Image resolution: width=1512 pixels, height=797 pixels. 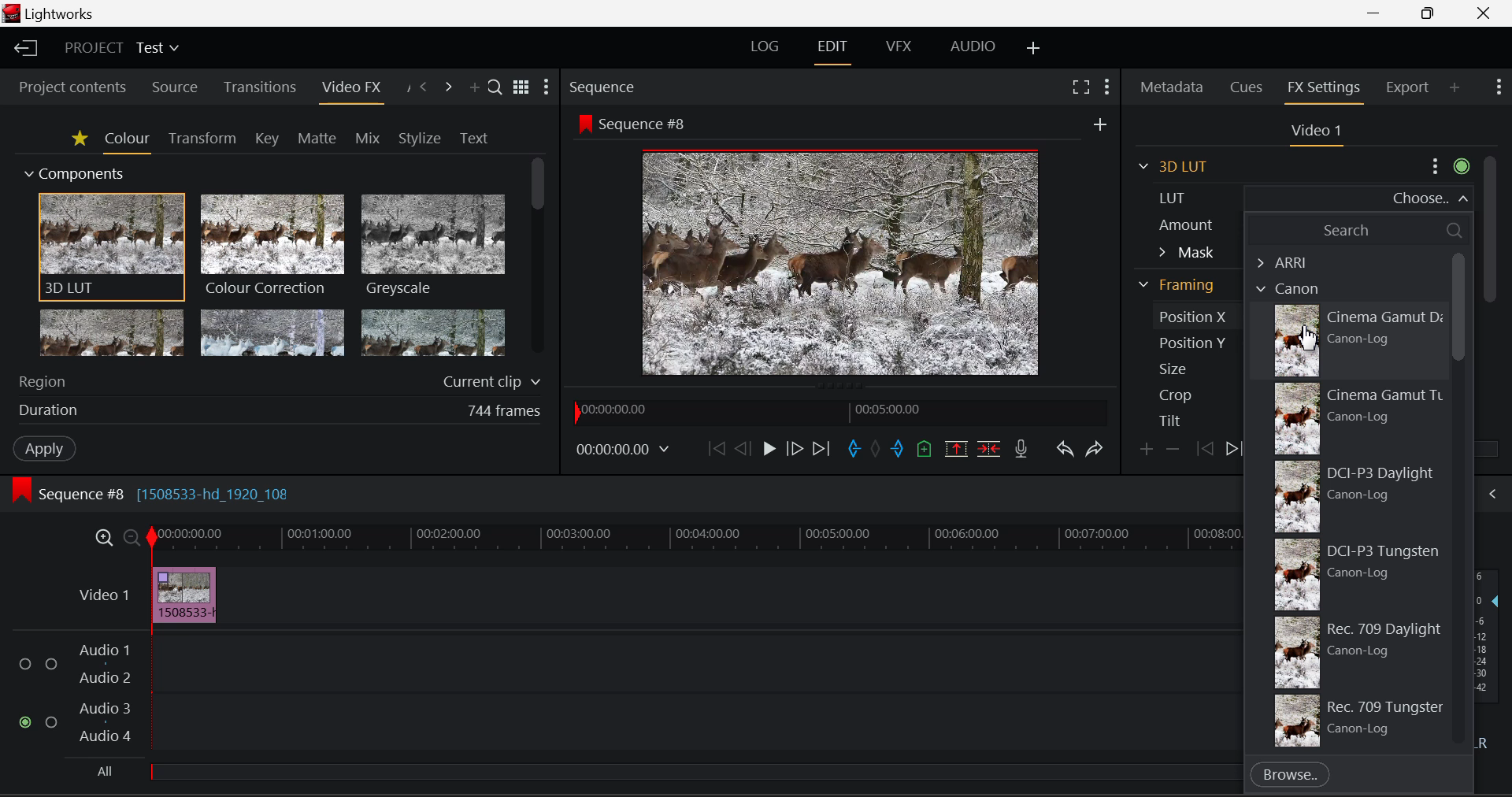 What do you see at coordinates (76, 172) in the screenshot?
I see `Components Section` at bounding box center [76, 172].